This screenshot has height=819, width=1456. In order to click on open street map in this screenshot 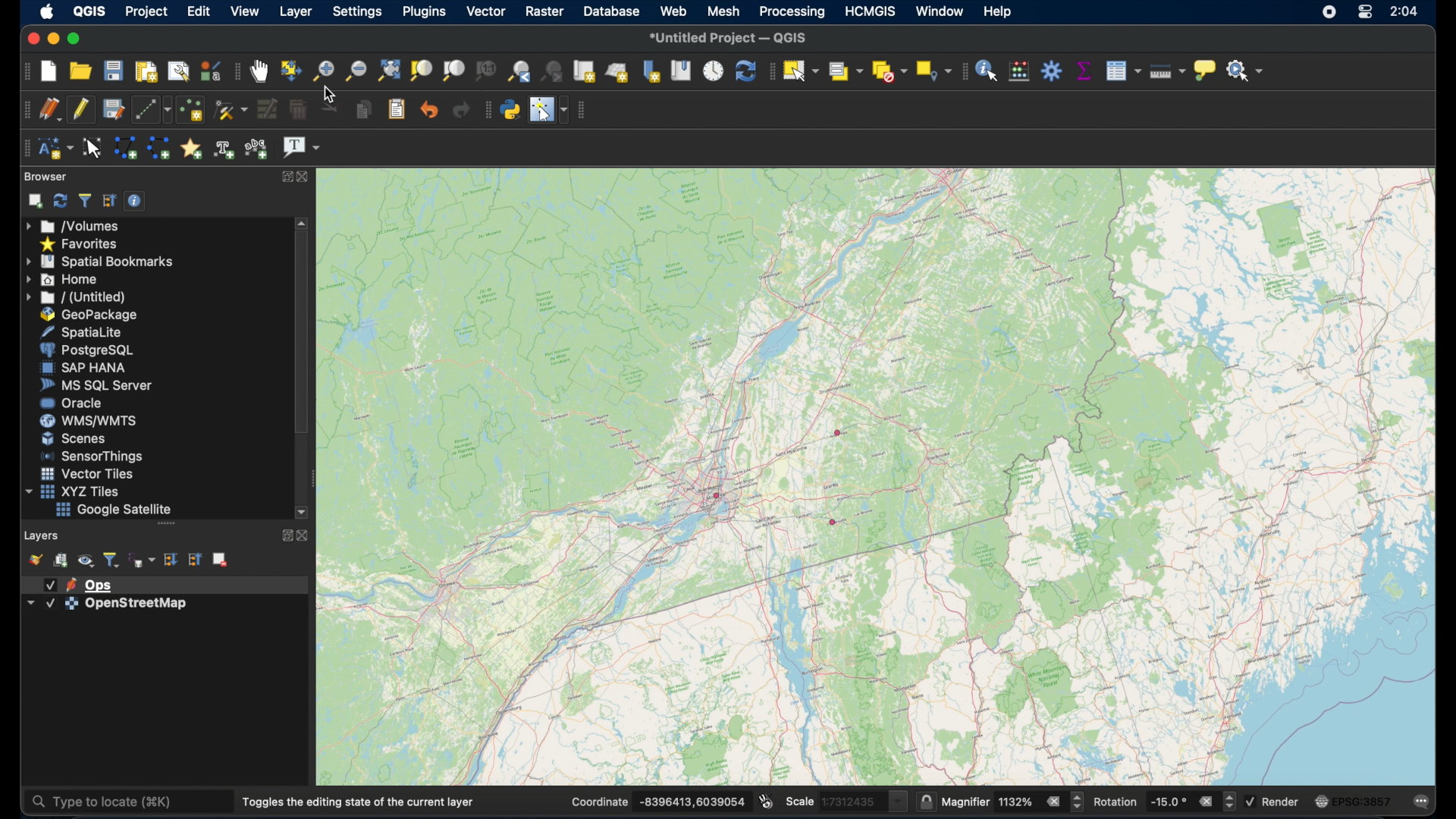, I will do `click(1146, 474)`.